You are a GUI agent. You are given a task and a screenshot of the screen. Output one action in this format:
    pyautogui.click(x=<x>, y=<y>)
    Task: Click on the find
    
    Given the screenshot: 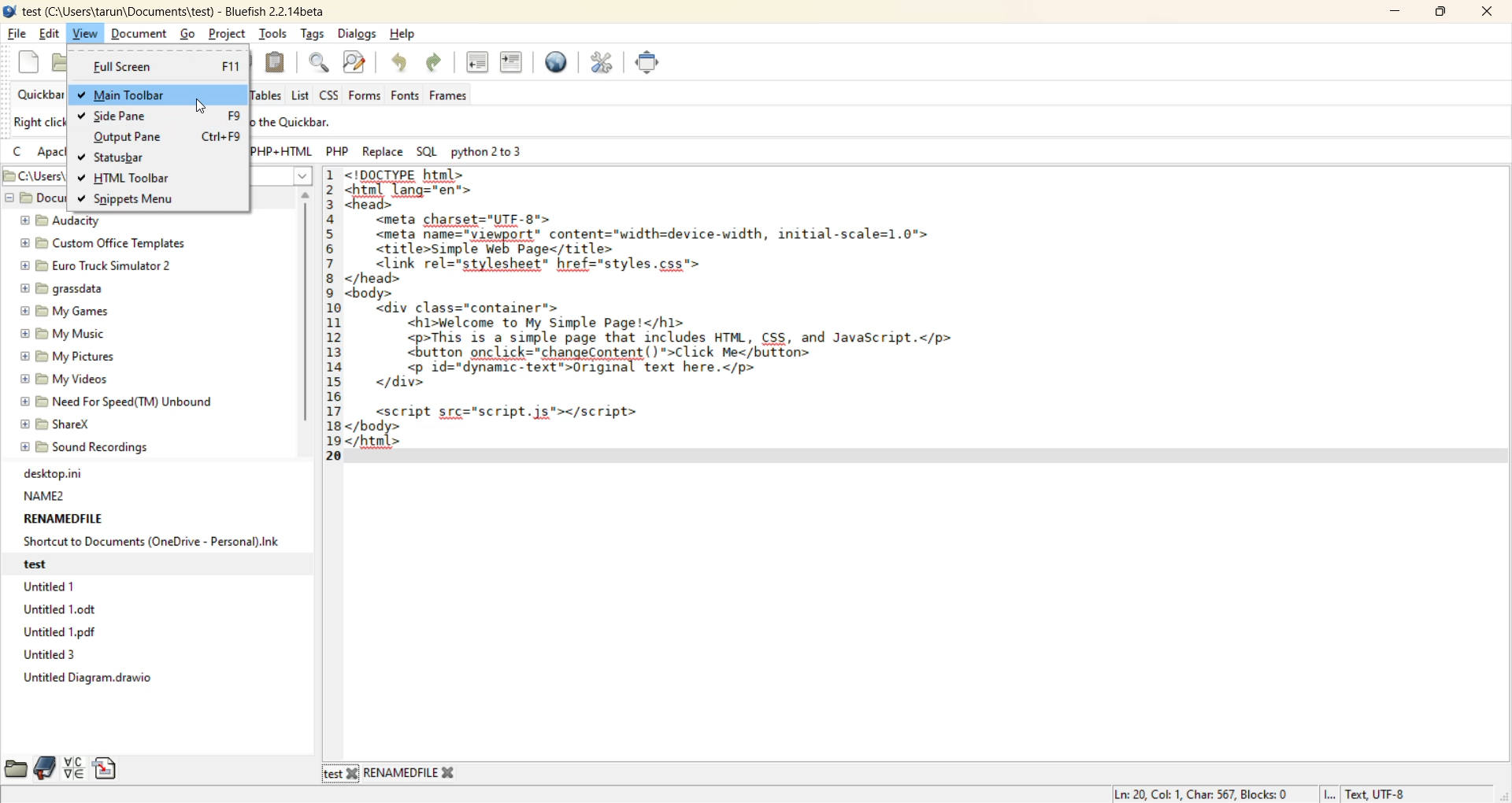 What is the action you would take?
    pyautogui.click(x=317, y=62)
    